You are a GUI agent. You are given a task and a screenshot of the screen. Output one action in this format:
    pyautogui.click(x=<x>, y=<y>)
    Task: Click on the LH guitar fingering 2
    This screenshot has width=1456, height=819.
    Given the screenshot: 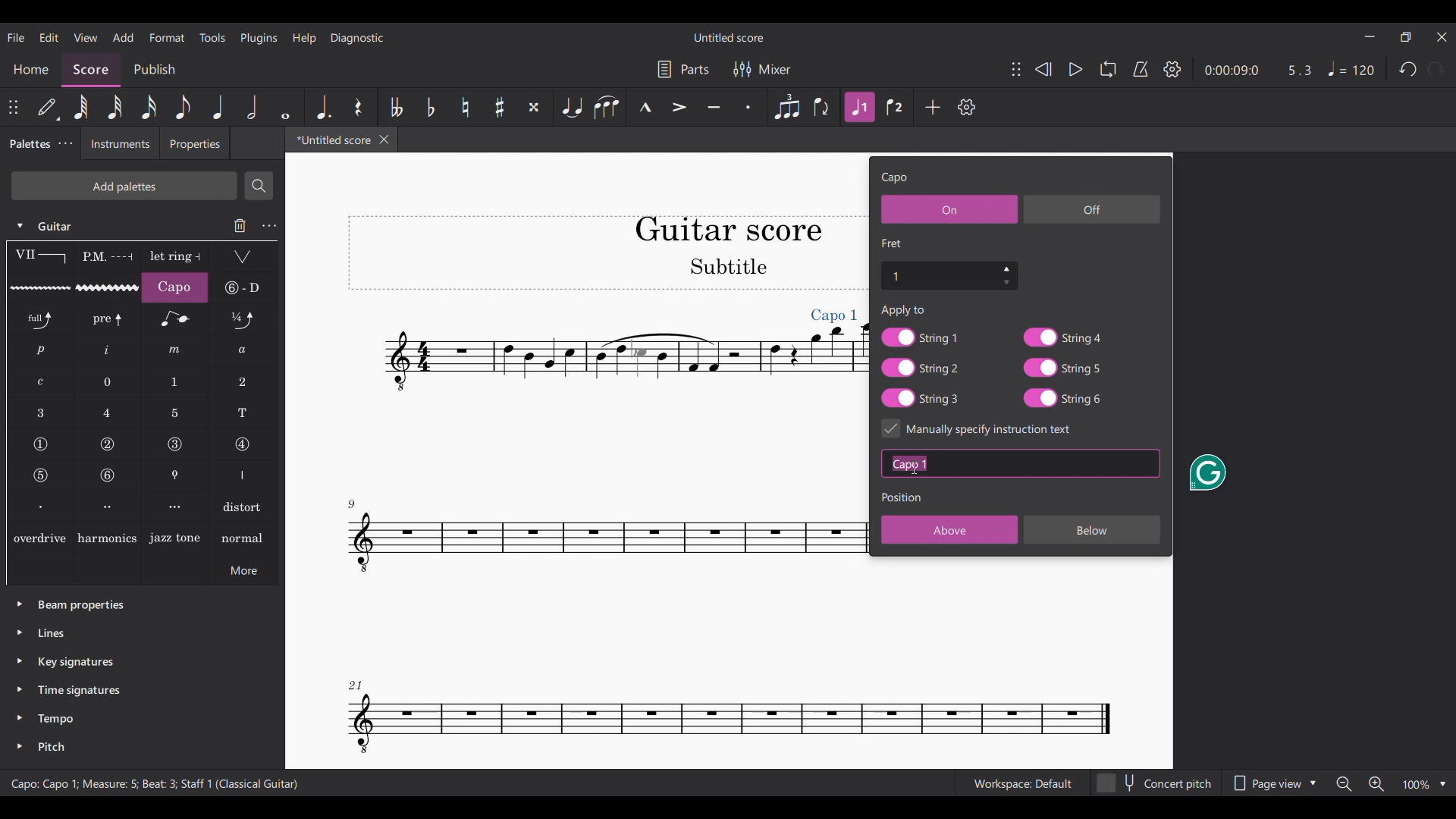 What is the action you would take?
    pyautogui.click(x=243, y=382)
    